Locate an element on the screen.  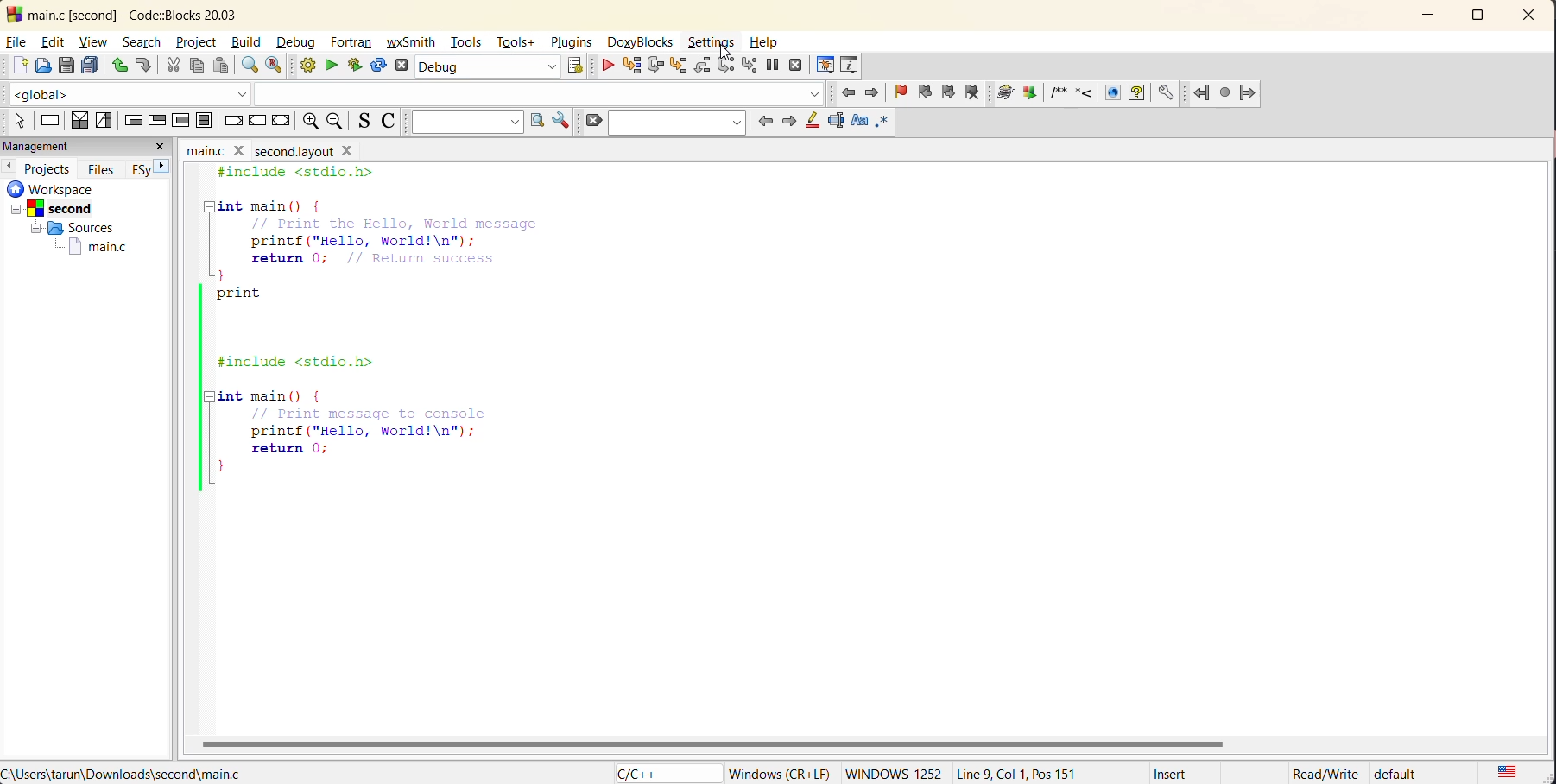
zoom out is located at coordinates (310, 122).